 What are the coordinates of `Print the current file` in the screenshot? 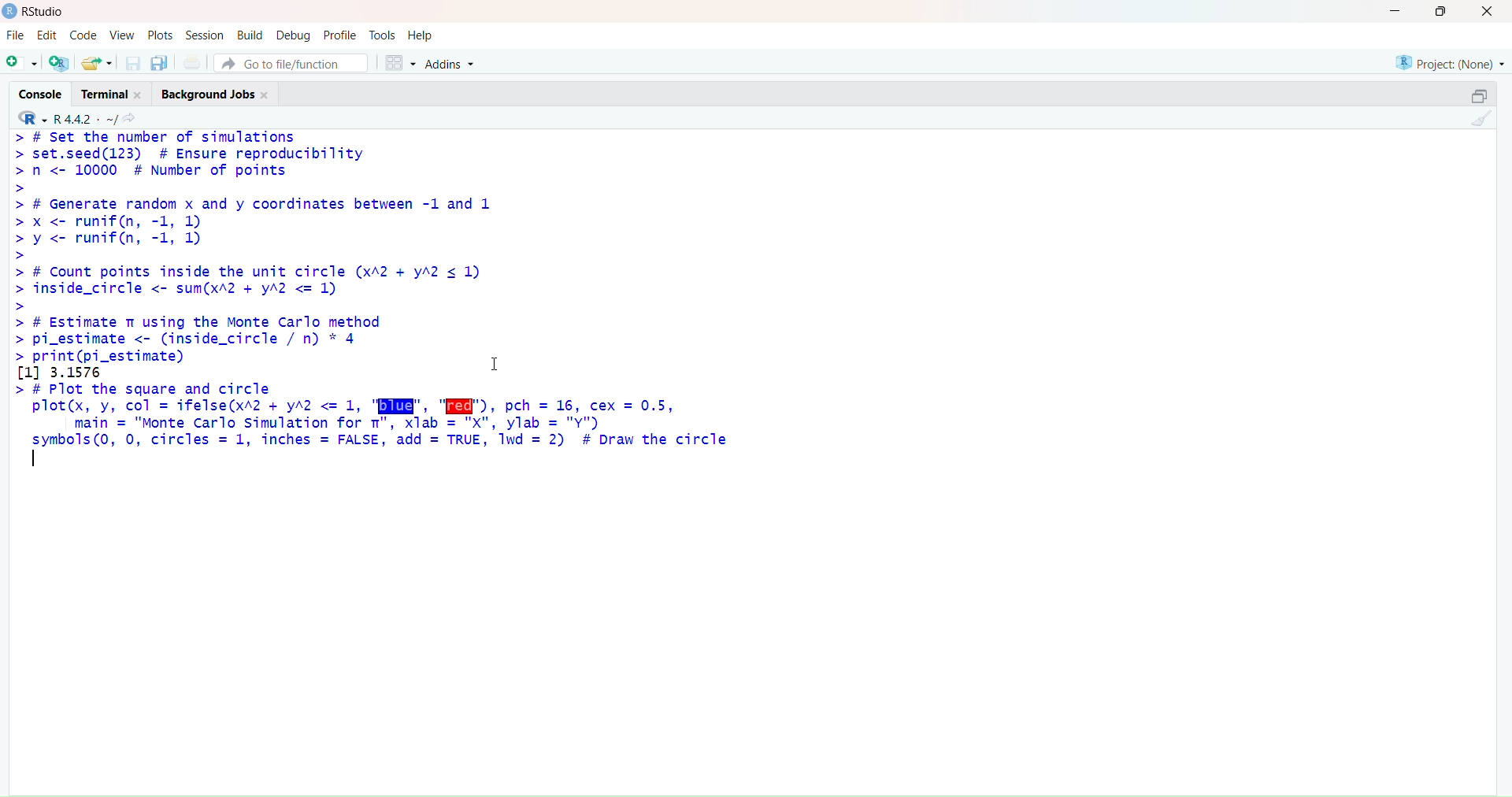 It's located at (195, 60).